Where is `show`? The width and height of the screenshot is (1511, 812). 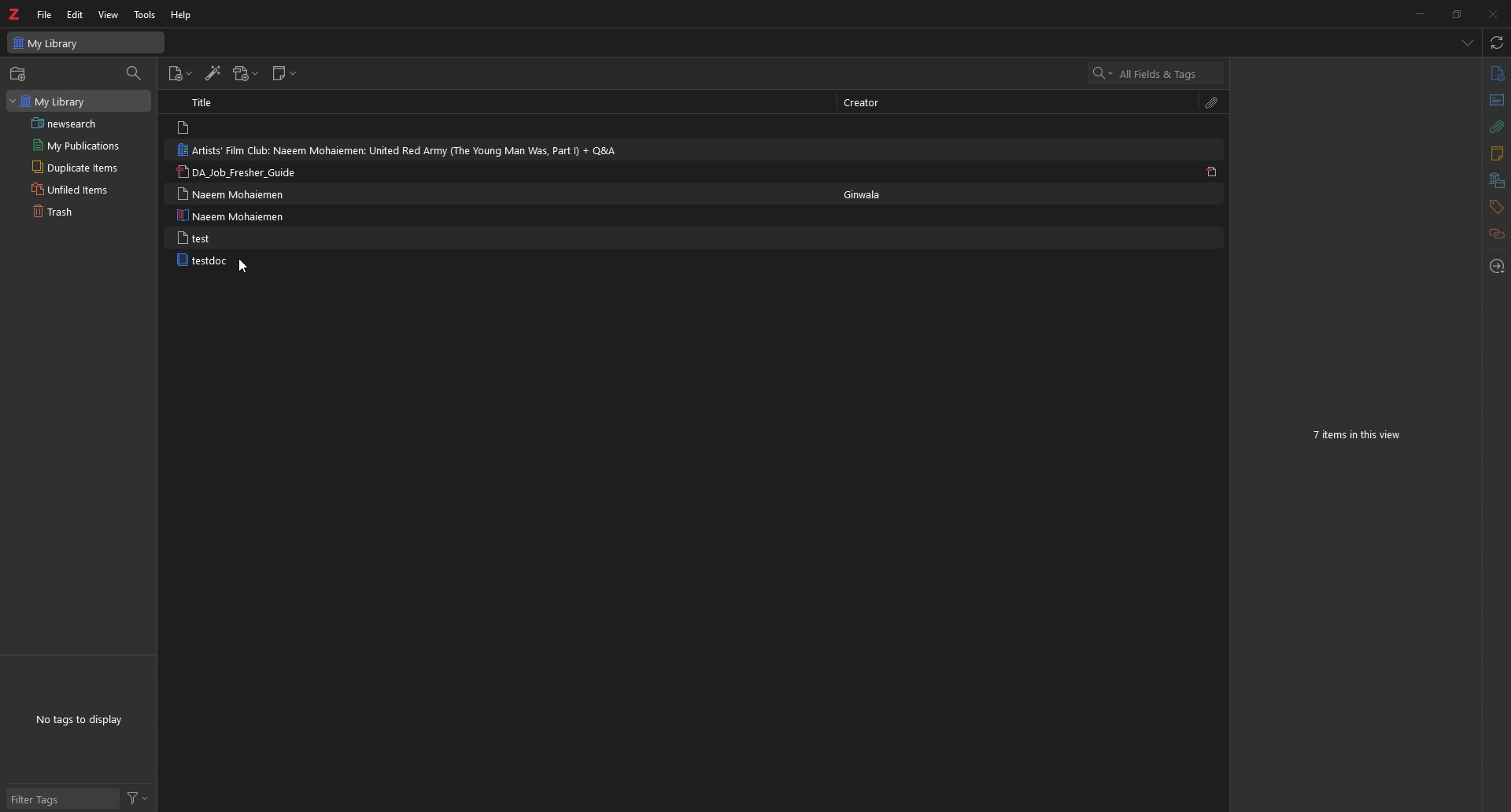
show is located at coordinates (1464, 45).